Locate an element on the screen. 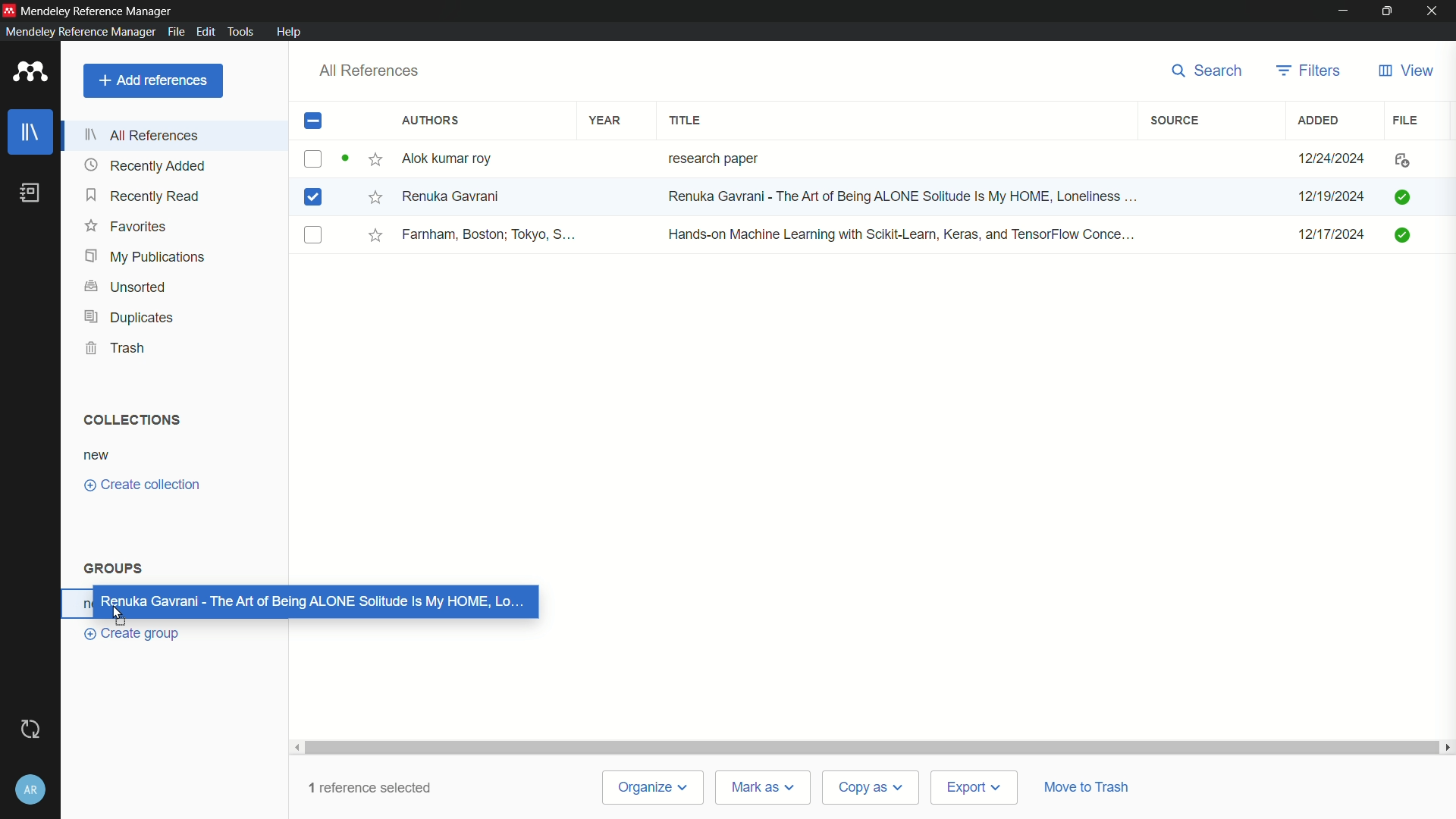 The width and height of the screenshot is (1456, 819). maximize is located at coordinates (1388, 11).